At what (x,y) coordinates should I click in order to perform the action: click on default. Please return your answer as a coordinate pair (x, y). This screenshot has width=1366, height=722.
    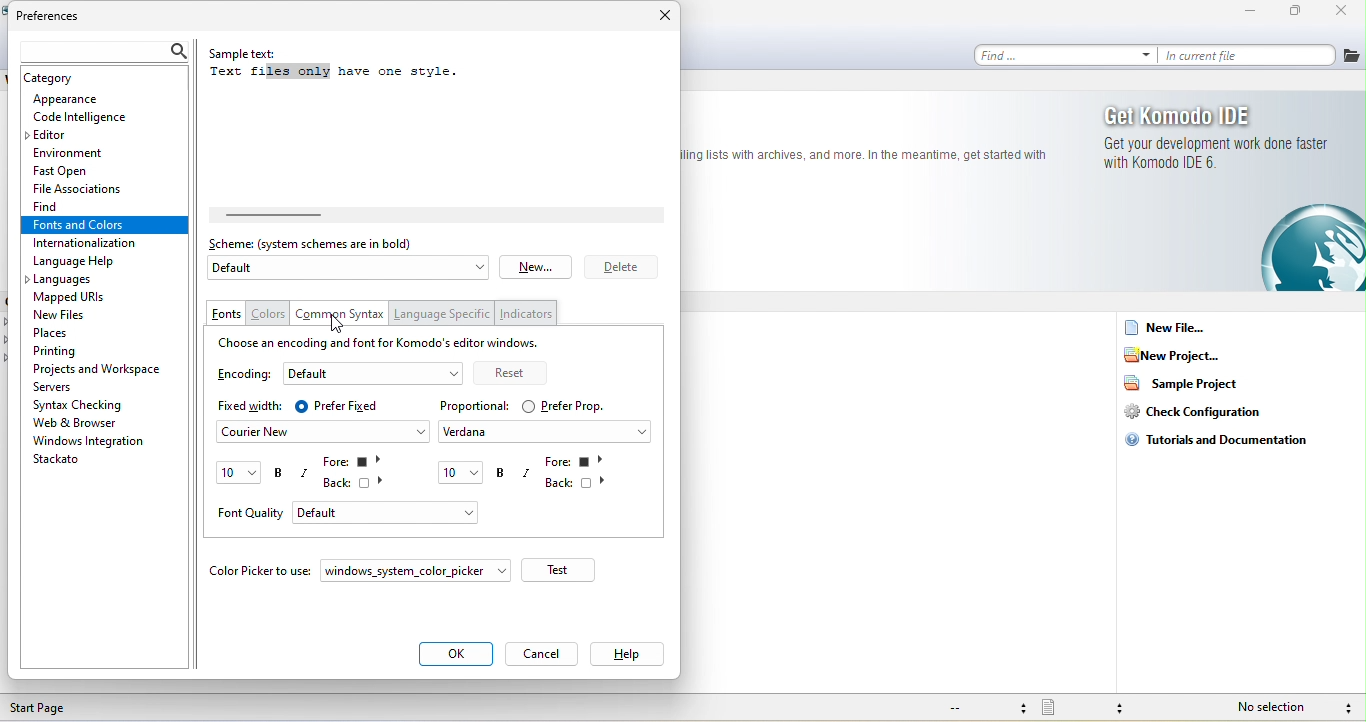
    Looking at the image, I should click on (374, 373).